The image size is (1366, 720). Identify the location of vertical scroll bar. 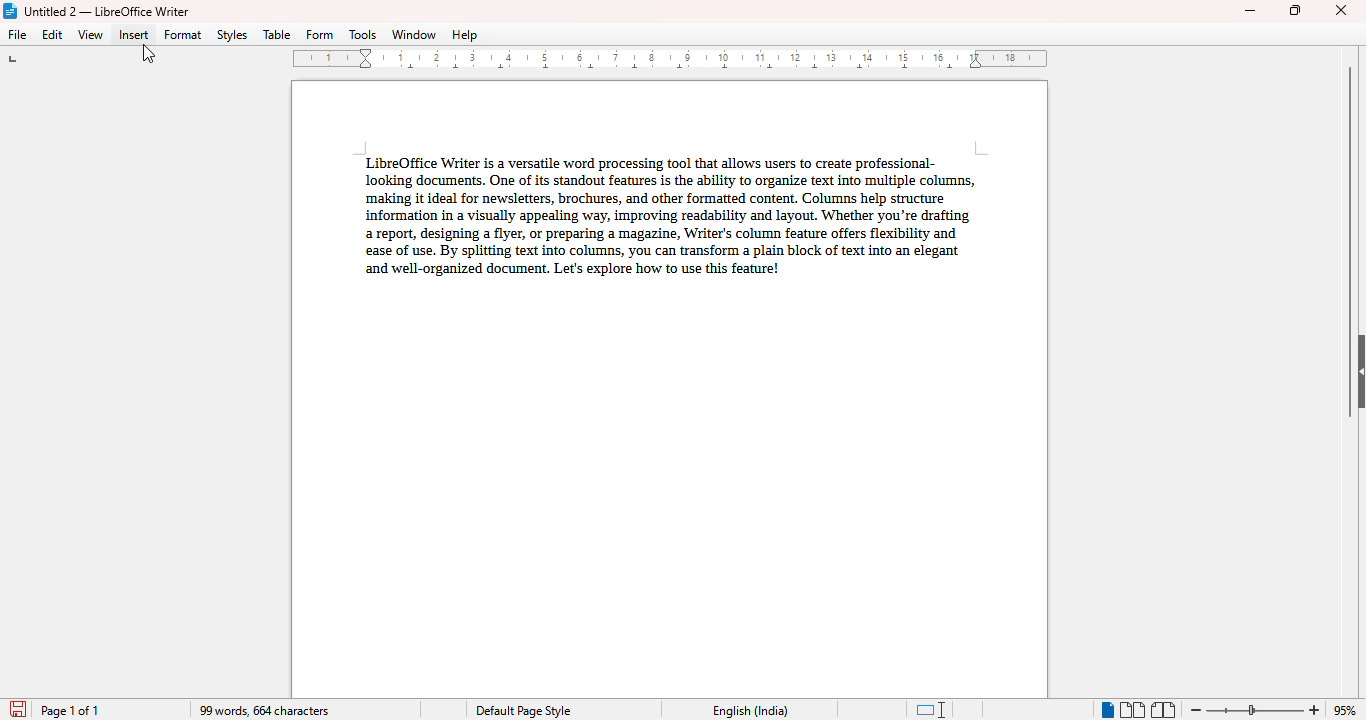
(1351, 242).